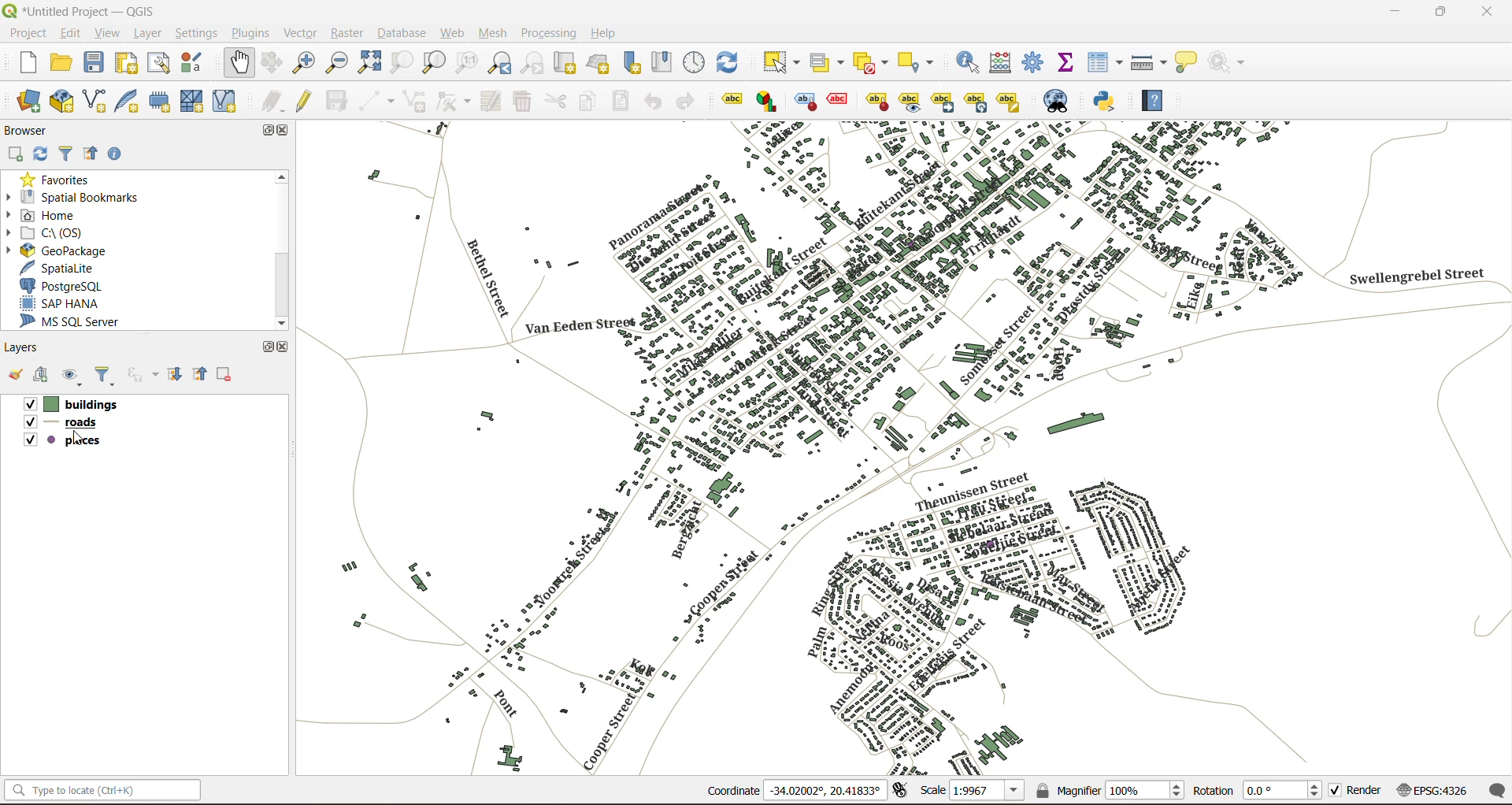 This screenshot has height=805, width=1512. Describe the element at coordinates (732, 97) in the screenshot. I see `layer labelling options` at that location.